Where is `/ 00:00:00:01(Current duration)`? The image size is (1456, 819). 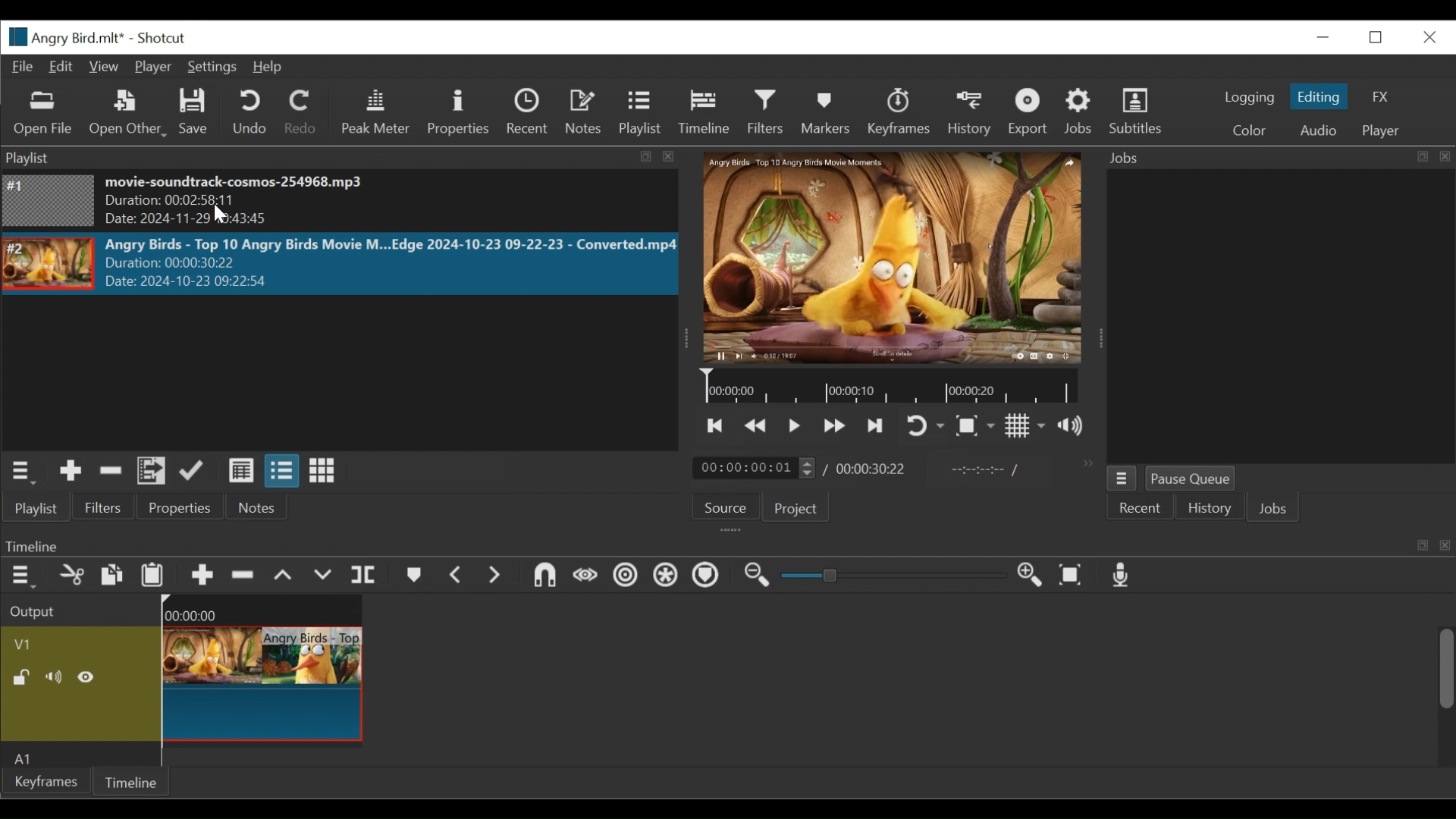
/ 00:00:00:01(Current duration) is located at coordinates (748, 467).